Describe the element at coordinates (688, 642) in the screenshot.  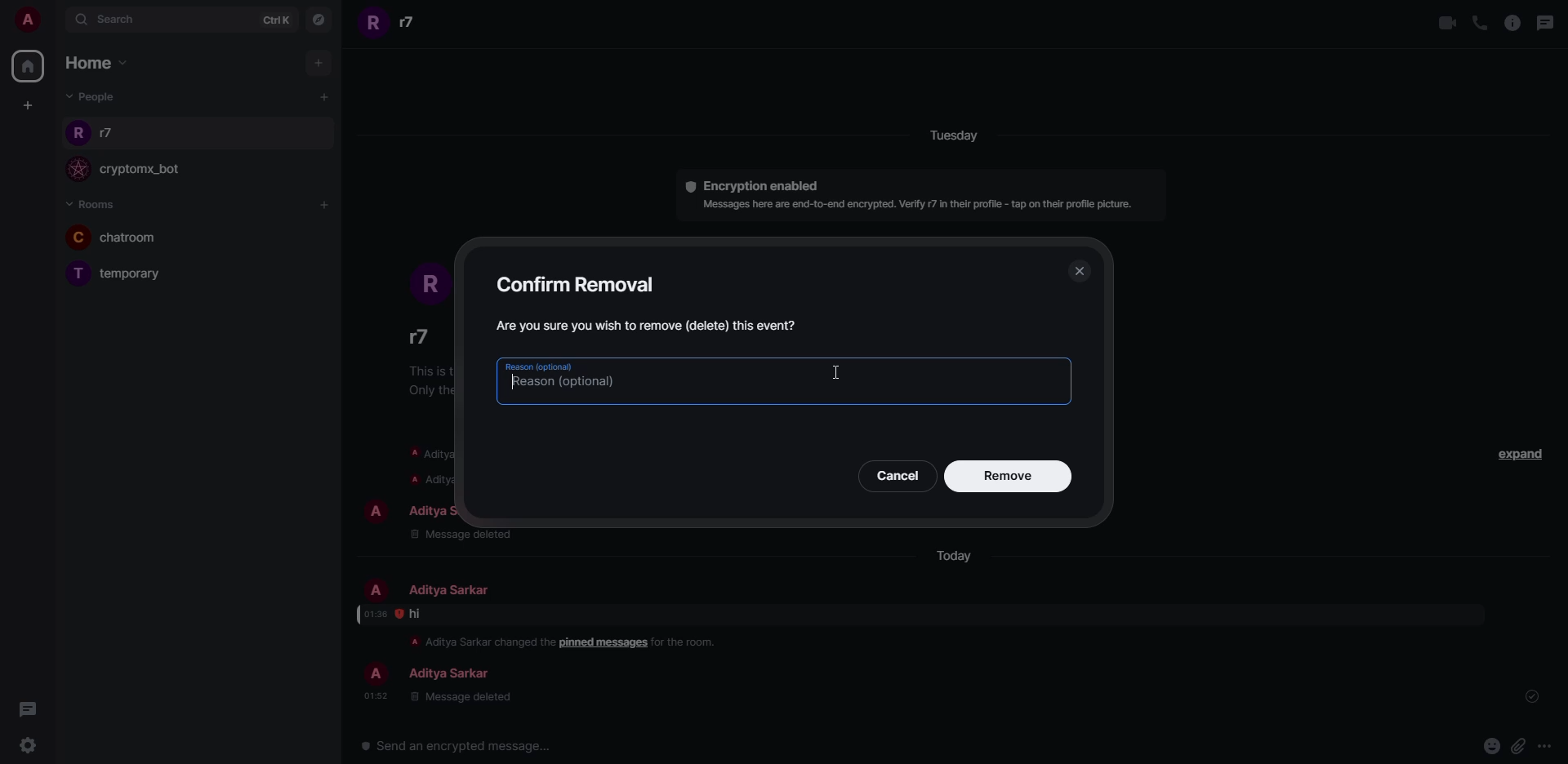
I see `info` at that location.